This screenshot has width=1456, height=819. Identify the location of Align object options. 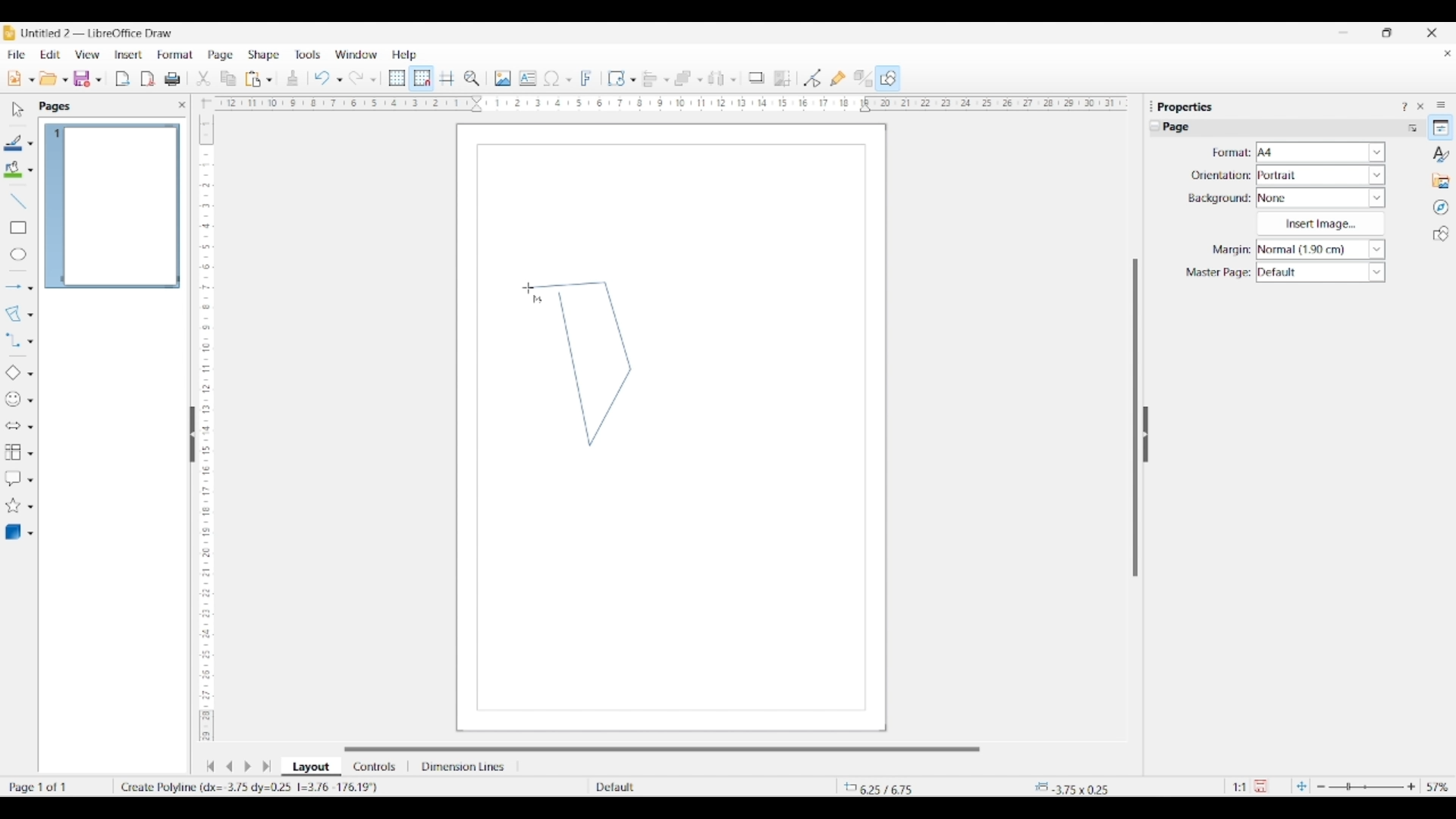
(667, 80).